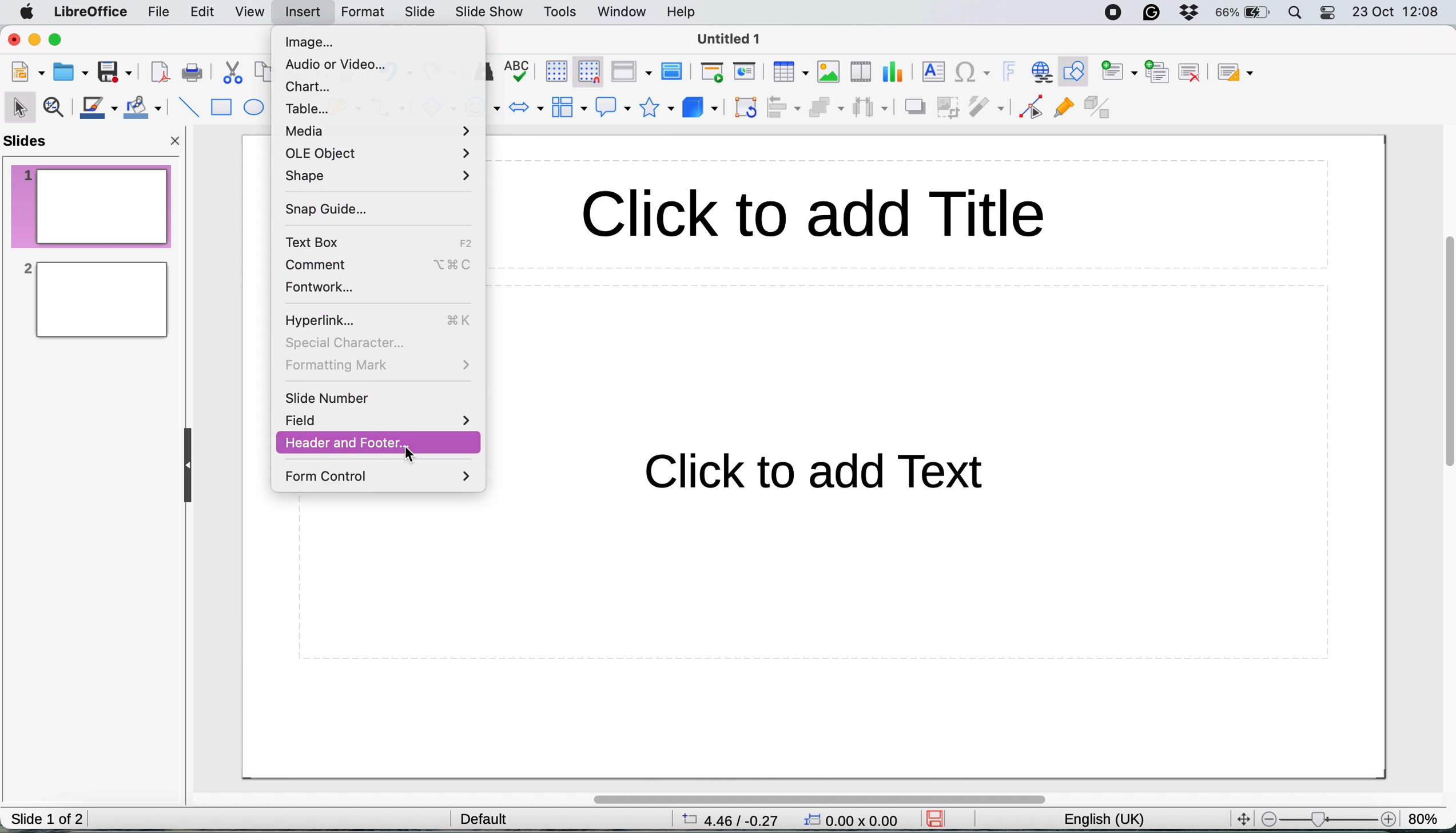 The width and height of the screenshot is (1456, 833). Describe the element at coordinates (1100, 109) in the screenshot. I see `toggle extrusion` at that location.